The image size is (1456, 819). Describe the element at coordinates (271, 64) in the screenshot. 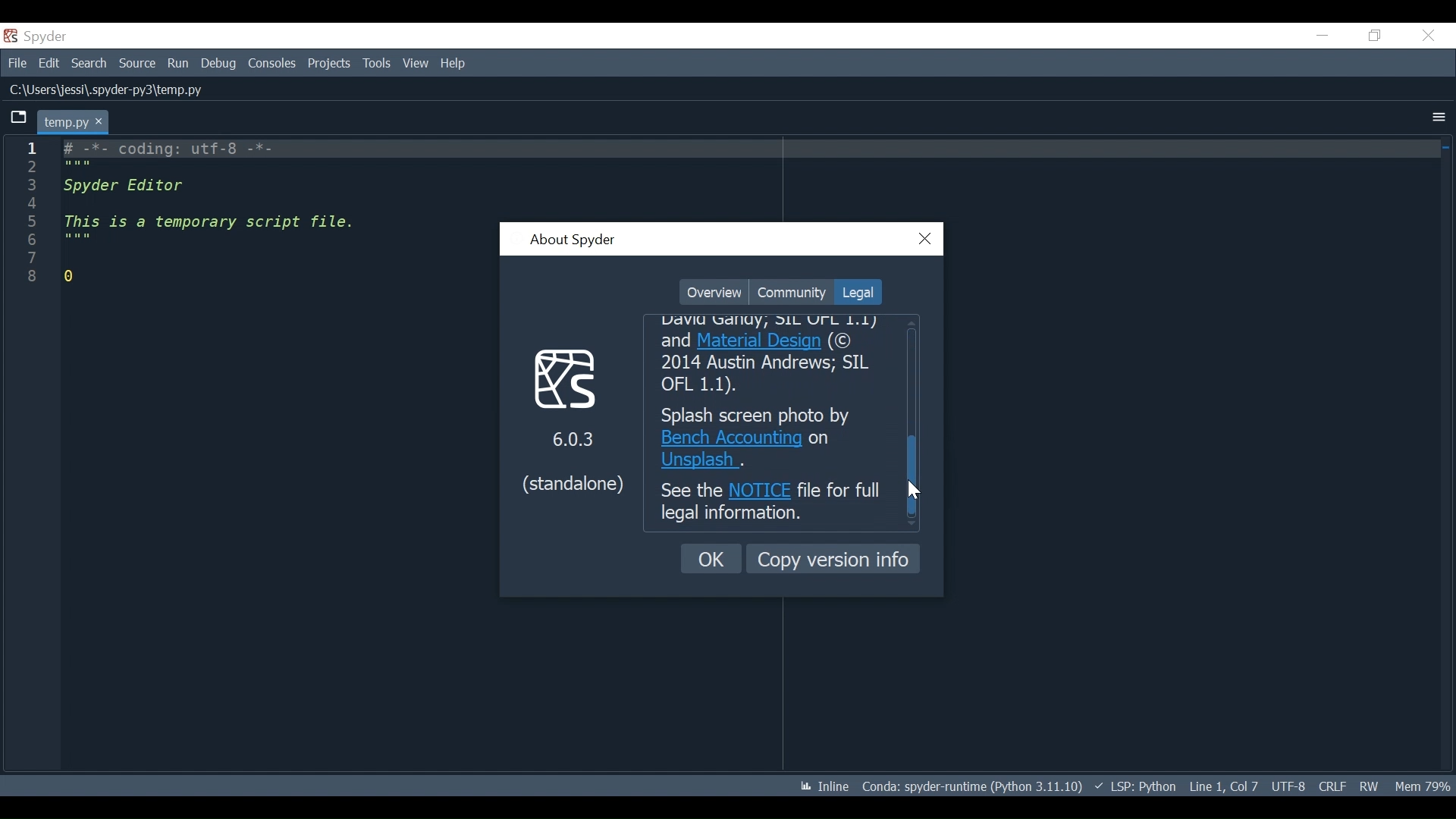

I see `Consoles` at that location.